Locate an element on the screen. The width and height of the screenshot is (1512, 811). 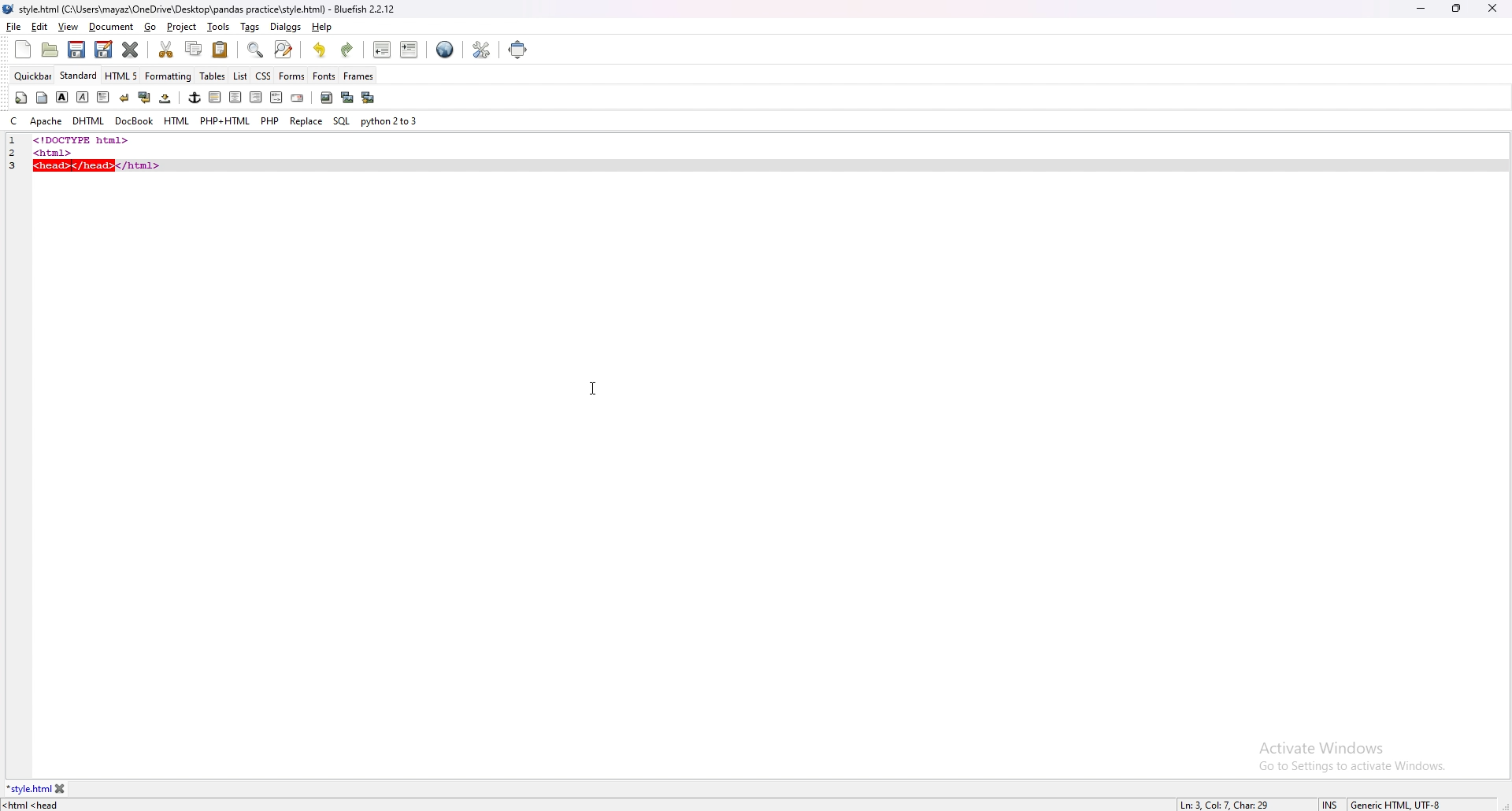
tables is located at coordinates (213, 76).